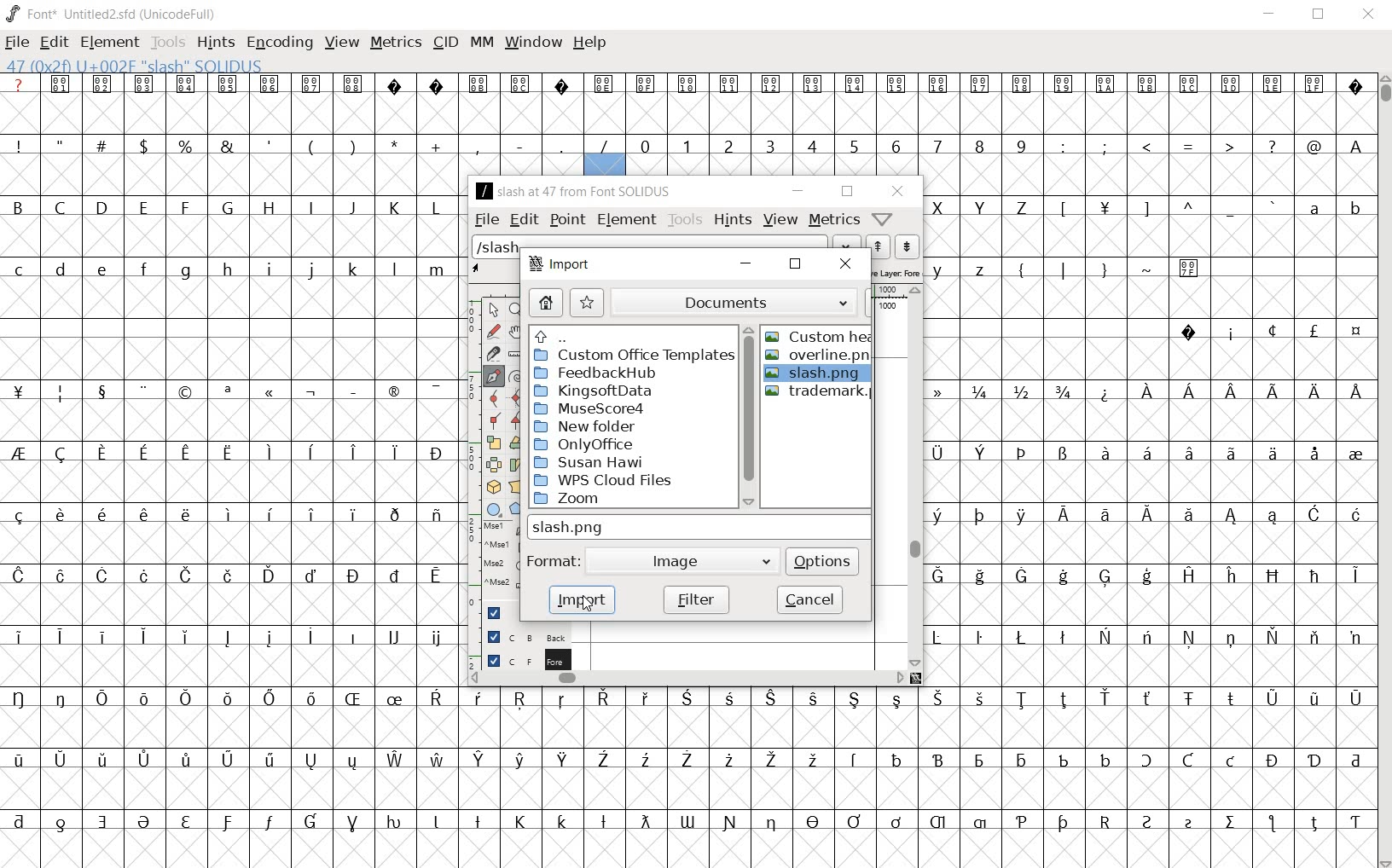 This screenshot has height=868, width=1392. What do you see at coordinates (820, 336) in the screenshot?
I see `CUSTOM HEART` at bounding box center [820, 336].